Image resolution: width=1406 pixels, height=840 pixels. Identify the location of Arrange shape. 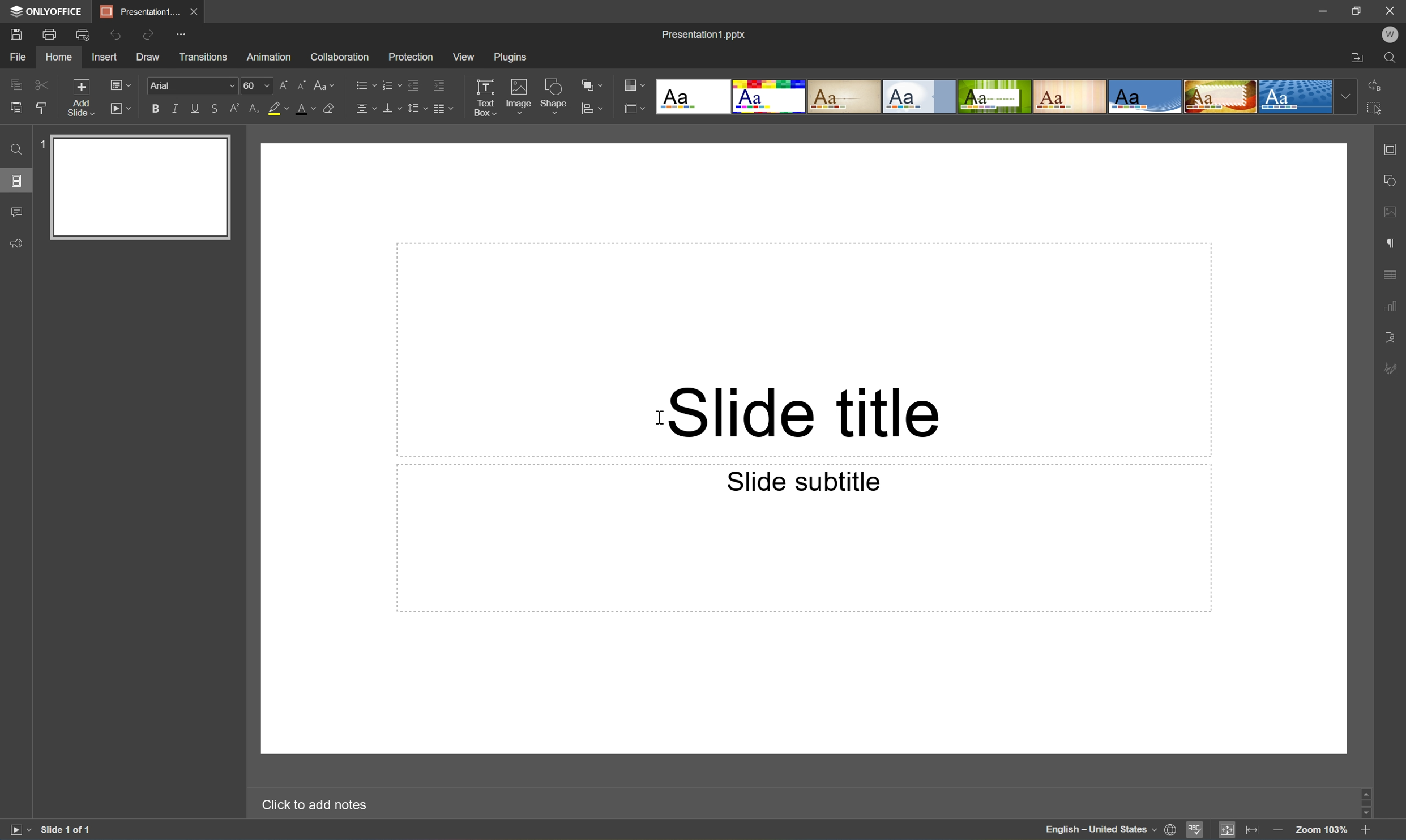
(592, 84).